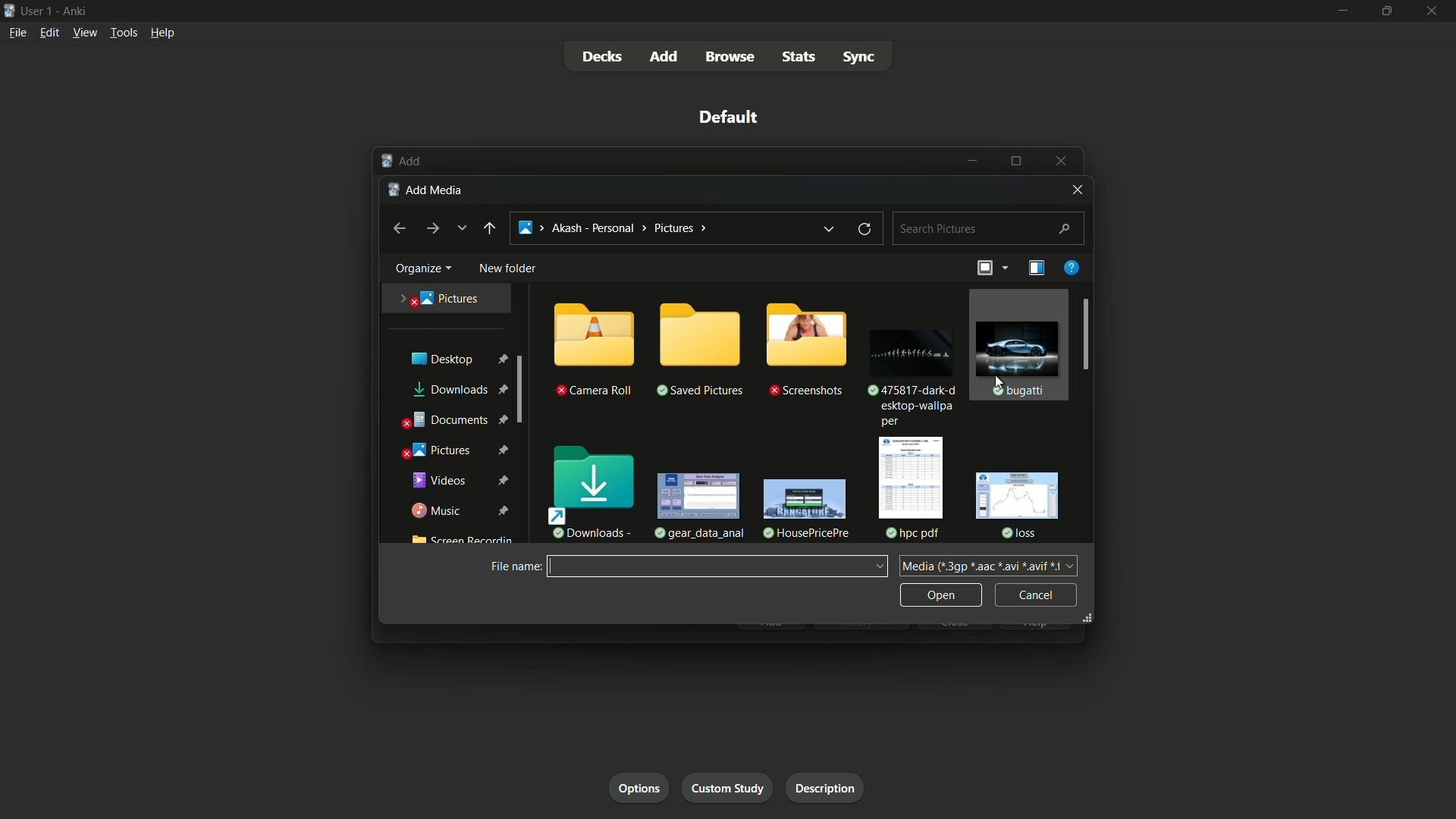 This screenshot has width=1456, height=819. I want to click on file-2, so click(1023, 344).